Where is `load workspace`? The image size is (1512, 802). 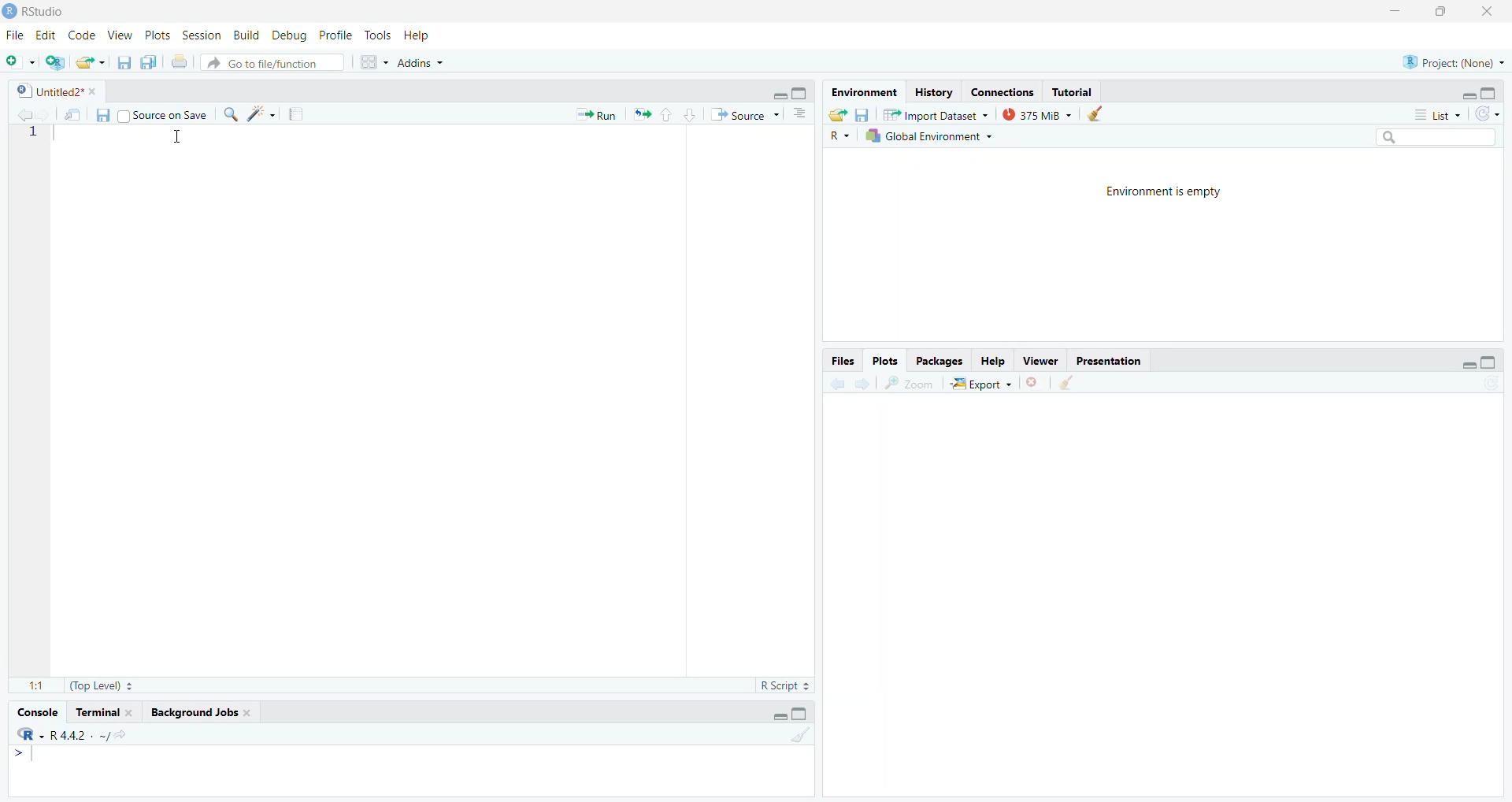
load workspace is located at coordinates (838, 114).